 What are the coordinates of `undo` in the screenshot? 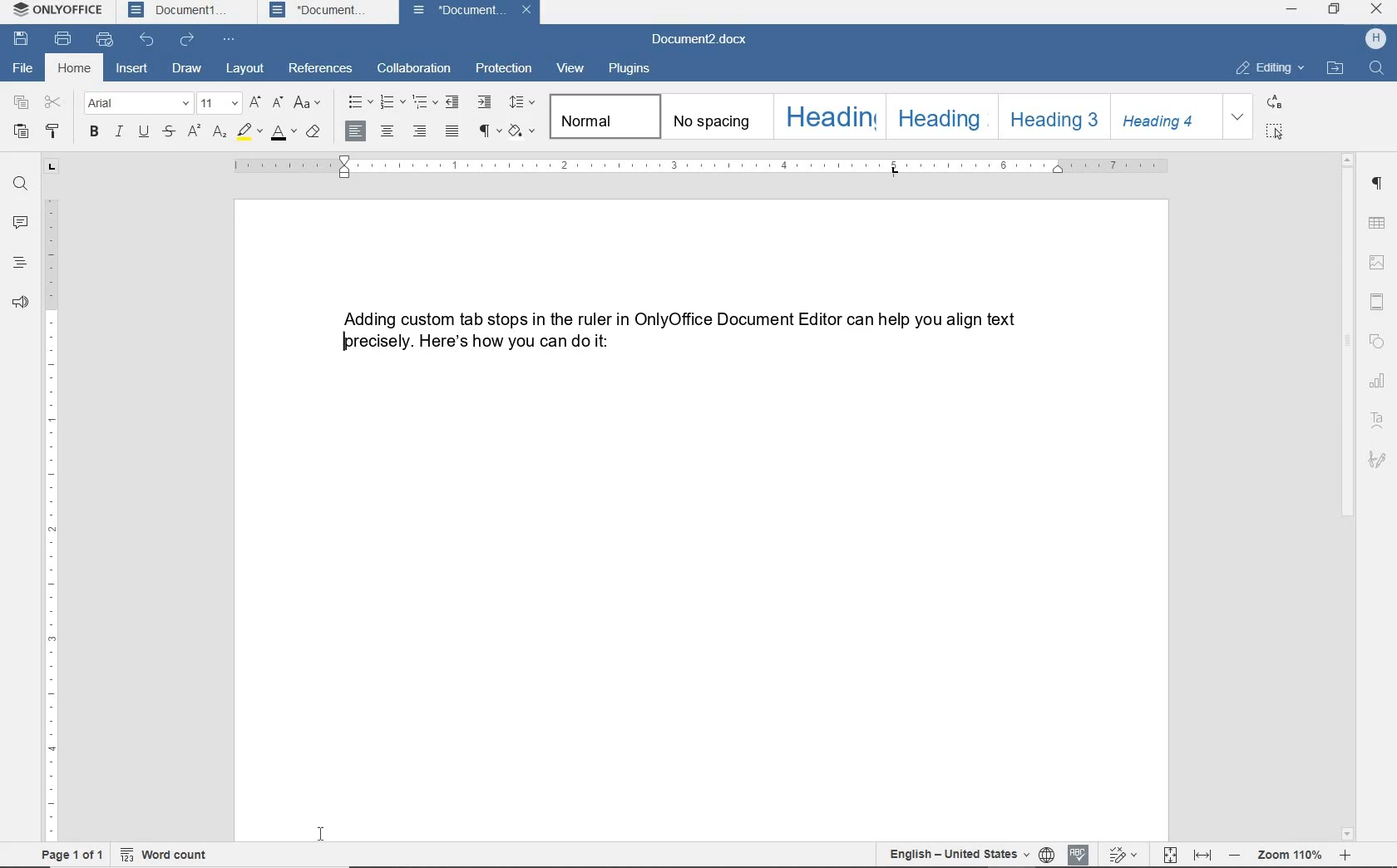 It's located at (147, 42).